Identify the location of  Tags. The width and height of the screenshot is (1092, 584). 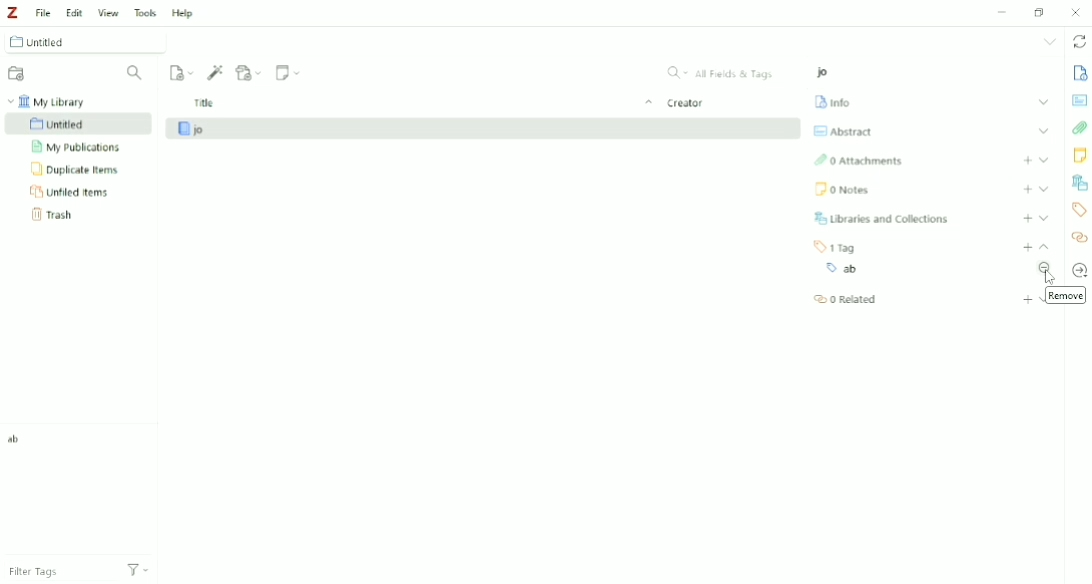
(1080, 210).